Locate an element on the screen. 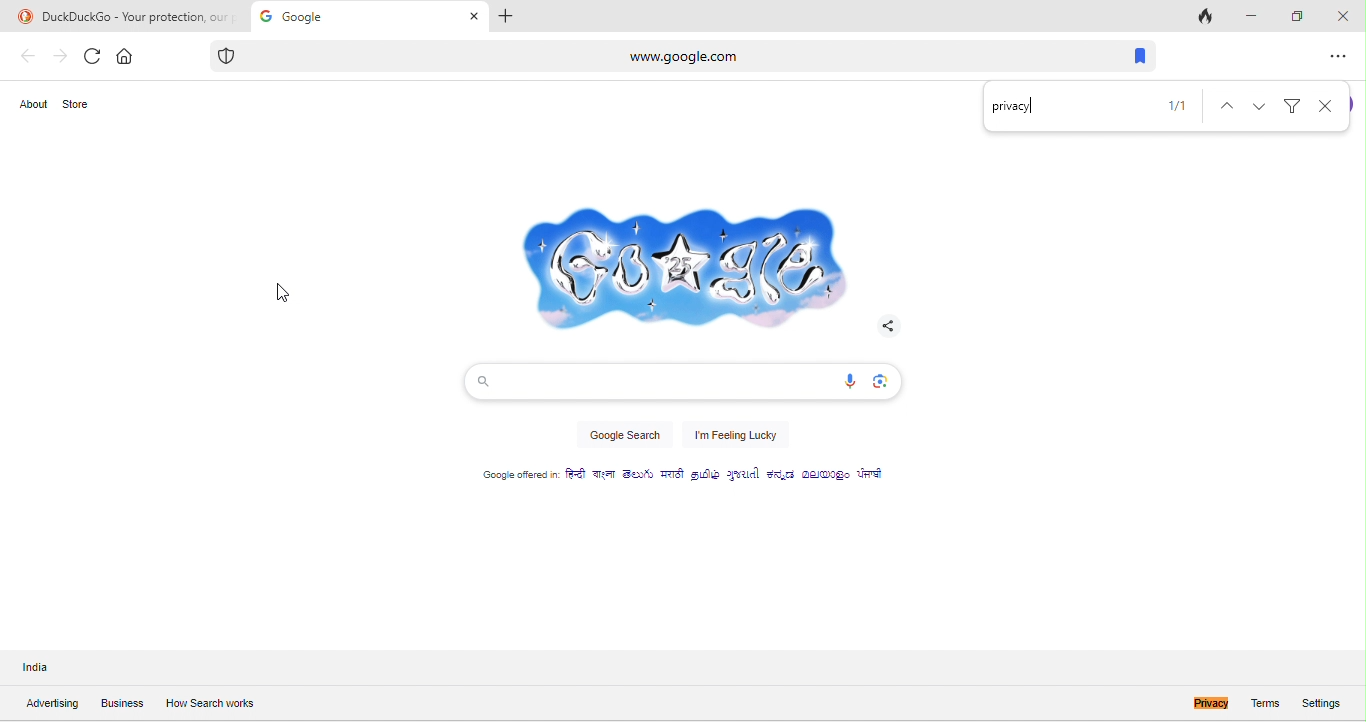 Image resolution: width=1366 pixels, height=722 pixels. Searched  a webpage for the word "privacy'' is located at coordinates (1015, 107).